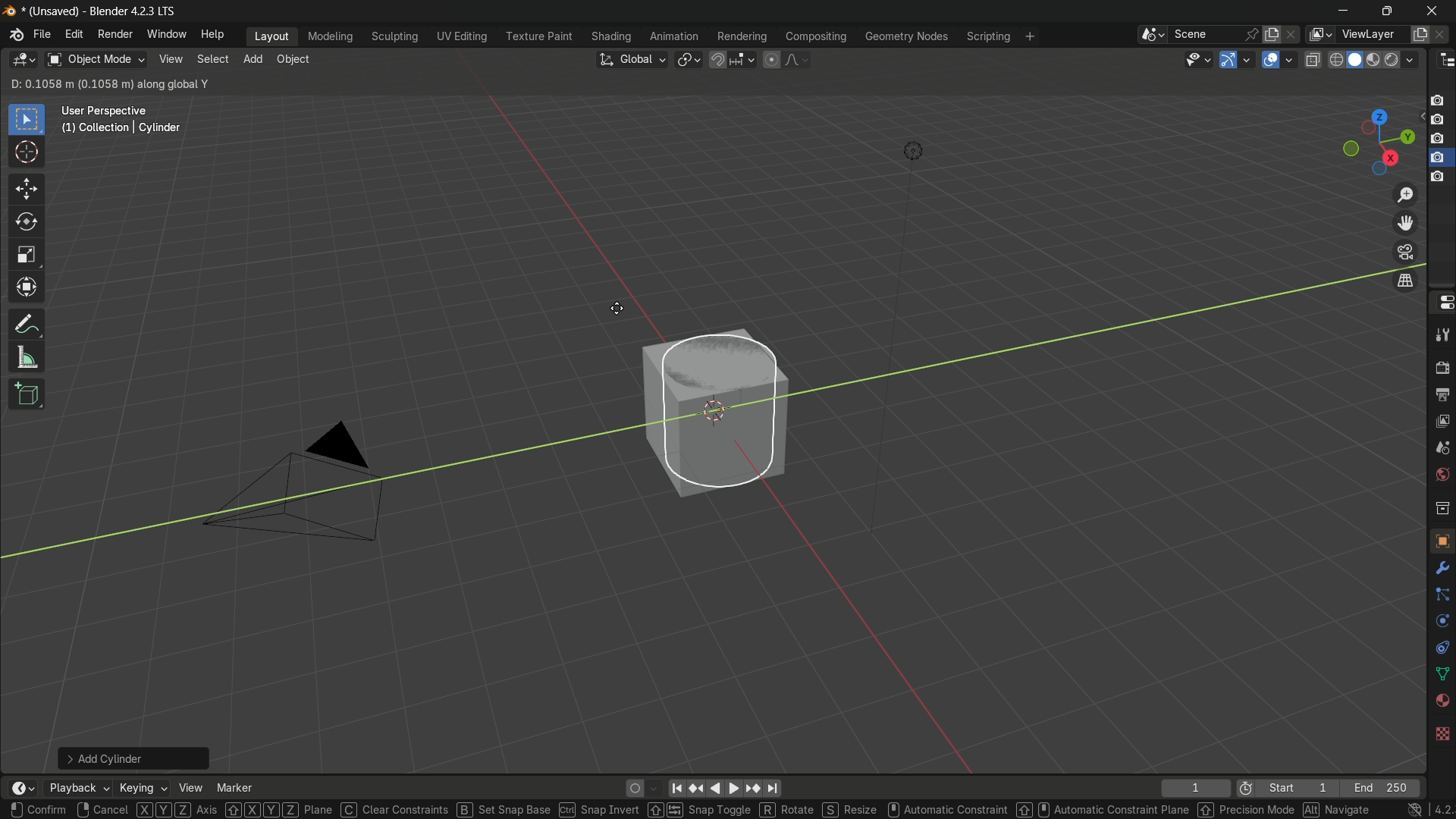 This screenshot has width=1456, height=819. What do you see at coordinates (1386, 11) in the screenshot?
I see `maximize or restore` at bounding box center [1386, 11].